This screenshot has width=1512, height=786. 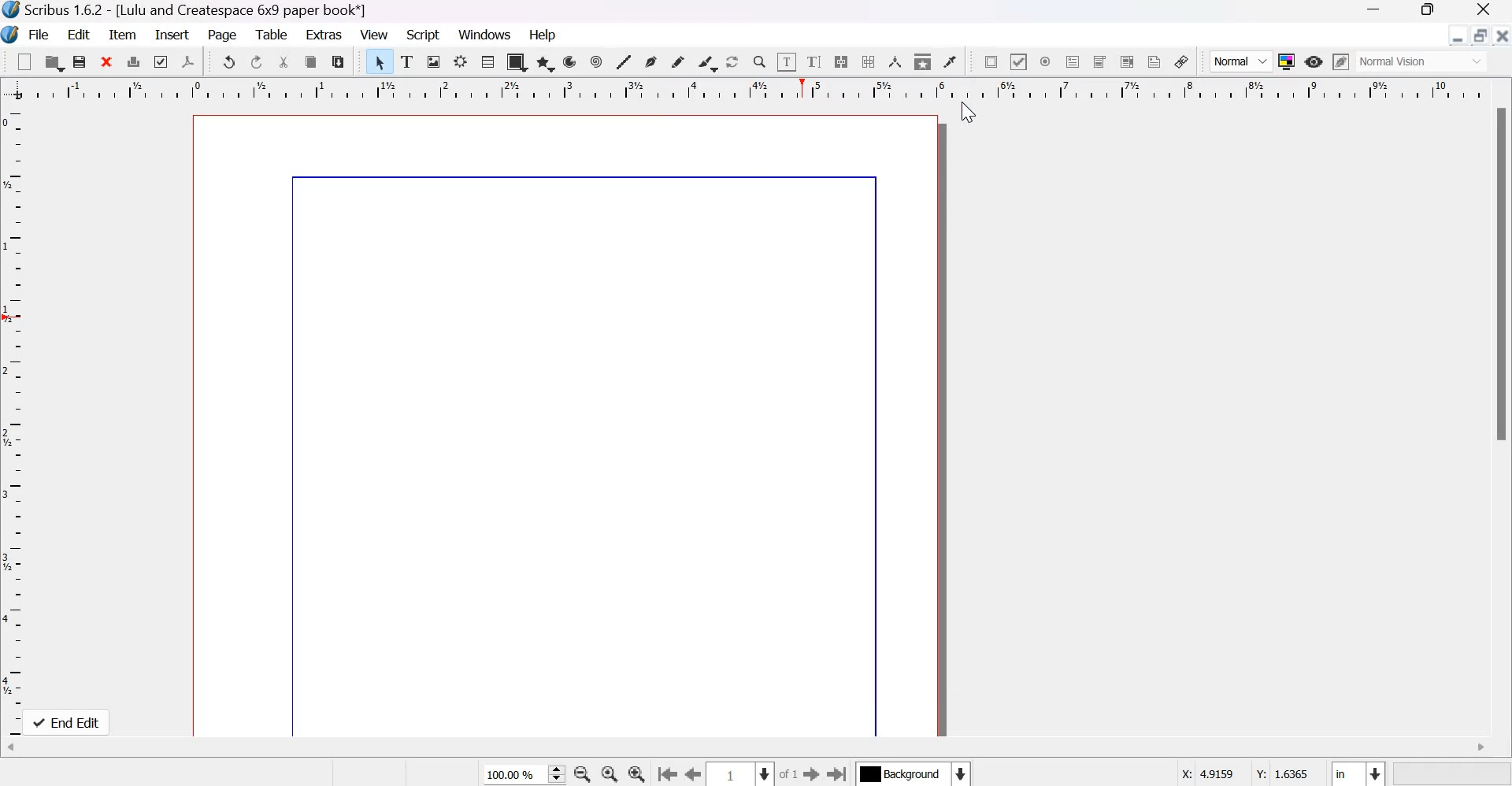 I want to click on Close, so click(x=1484, y=9).